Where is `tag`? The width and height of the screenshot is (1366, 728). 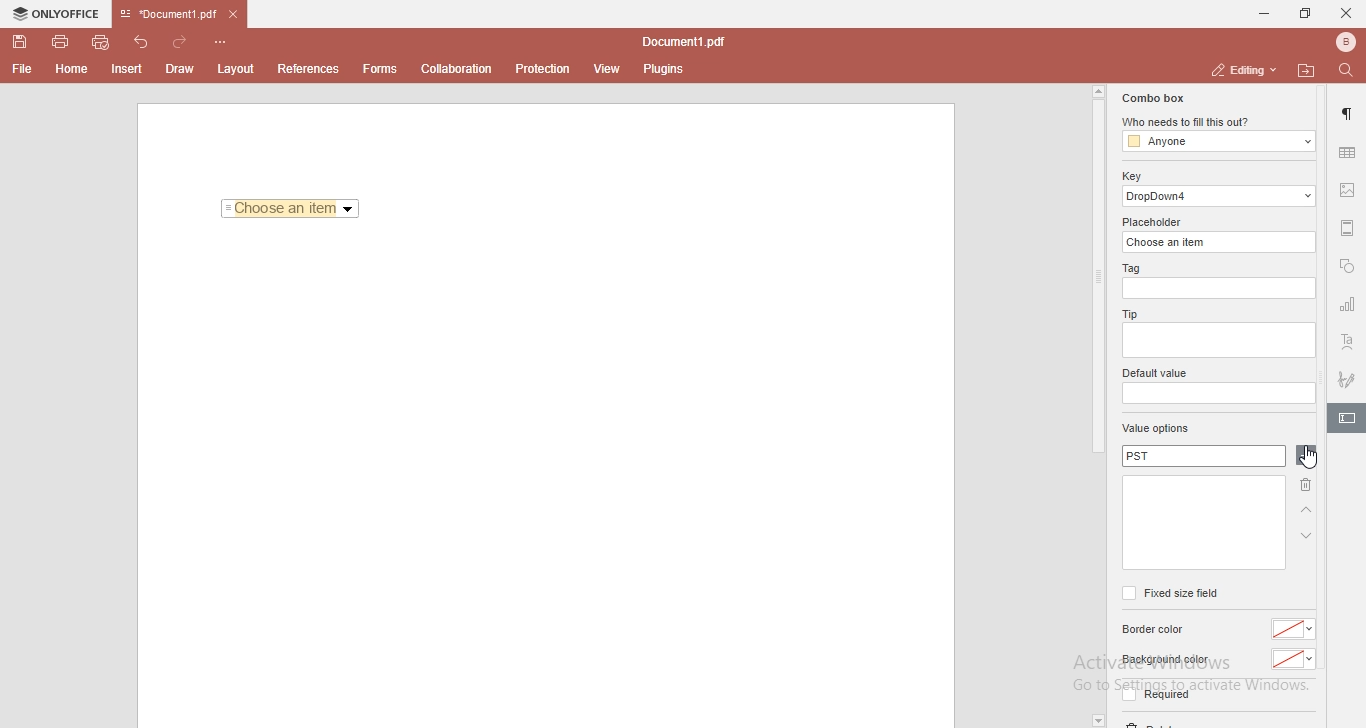
tag is located at coordinates (1129, 269).